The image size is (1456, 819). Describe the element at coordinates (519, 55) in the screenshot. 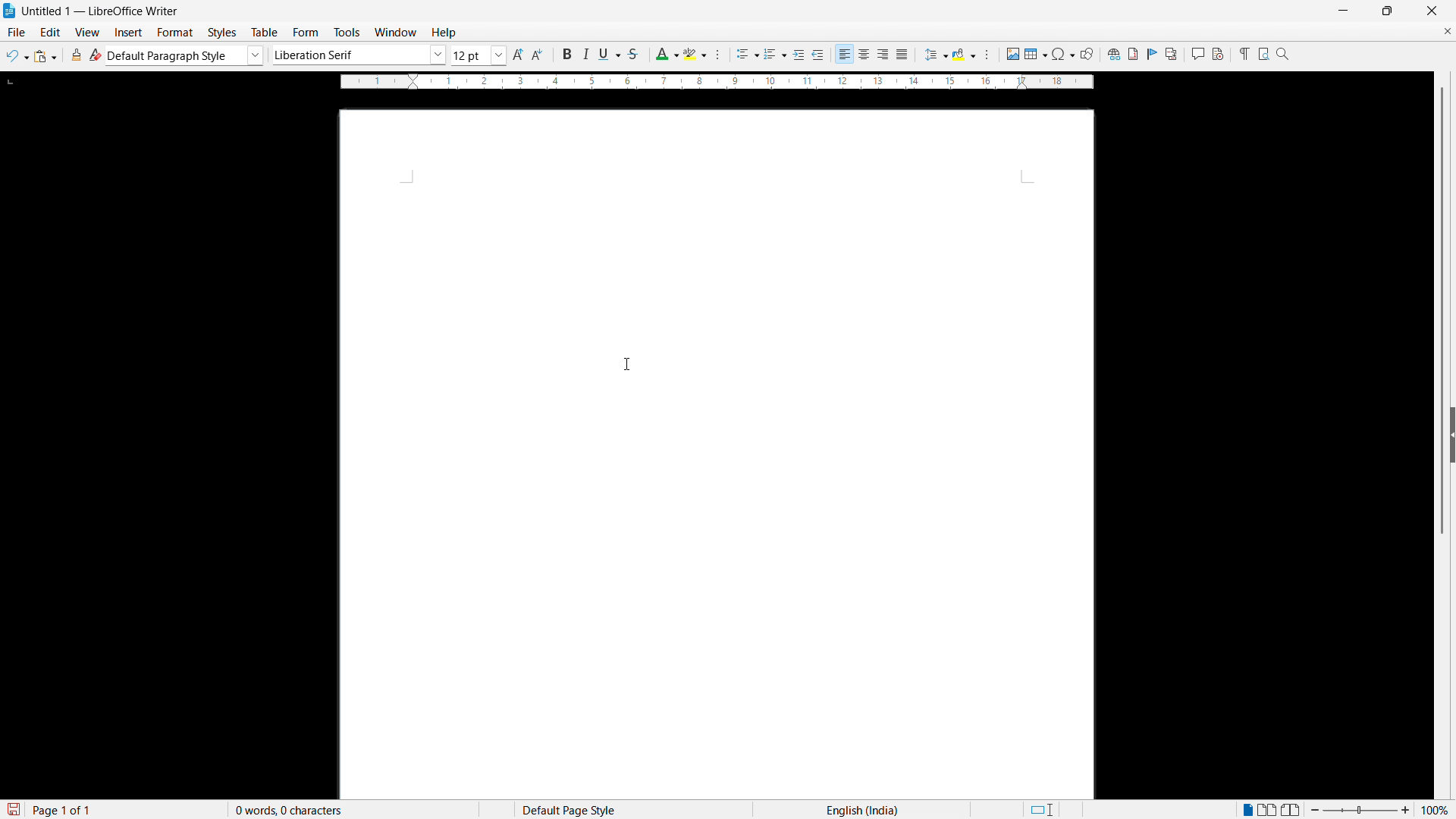

I see `Increase font size ` at that location.